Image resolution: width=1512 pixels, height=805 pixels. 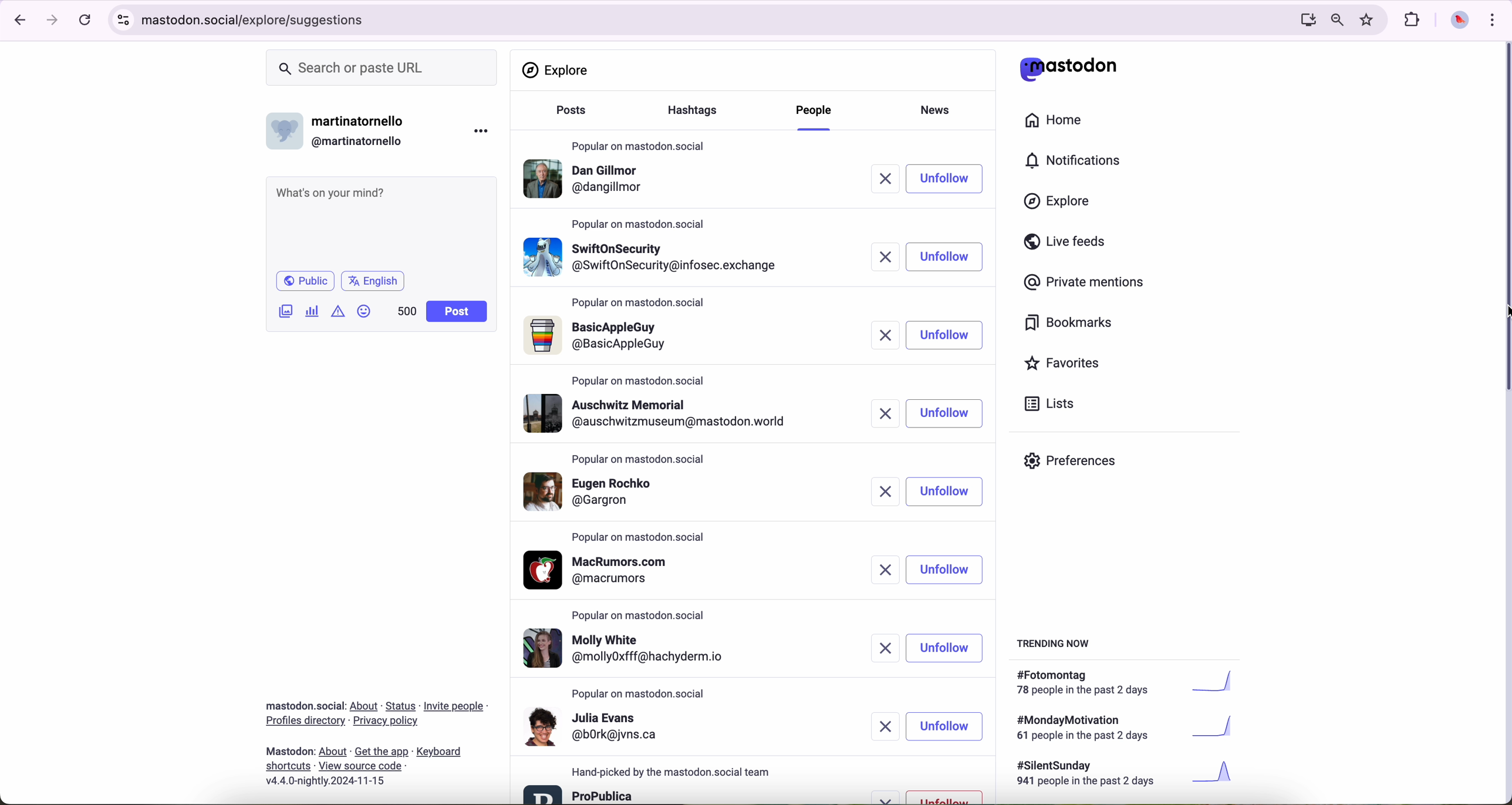 I want to click on refresh page, so click(x=86, y=21).